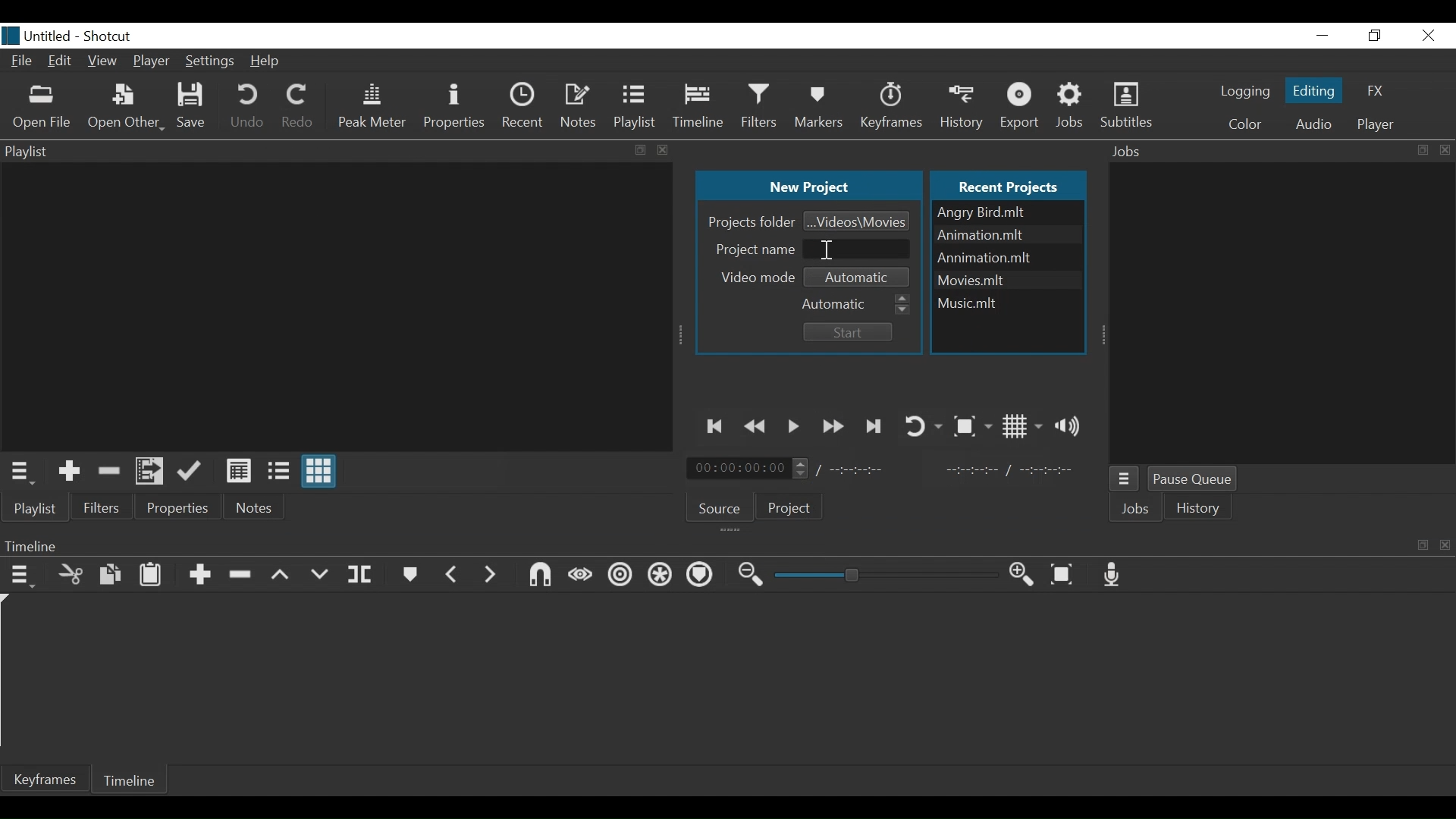 This screenshot has width=1456, height=819. I want to click on Snap, so click(539, 575).